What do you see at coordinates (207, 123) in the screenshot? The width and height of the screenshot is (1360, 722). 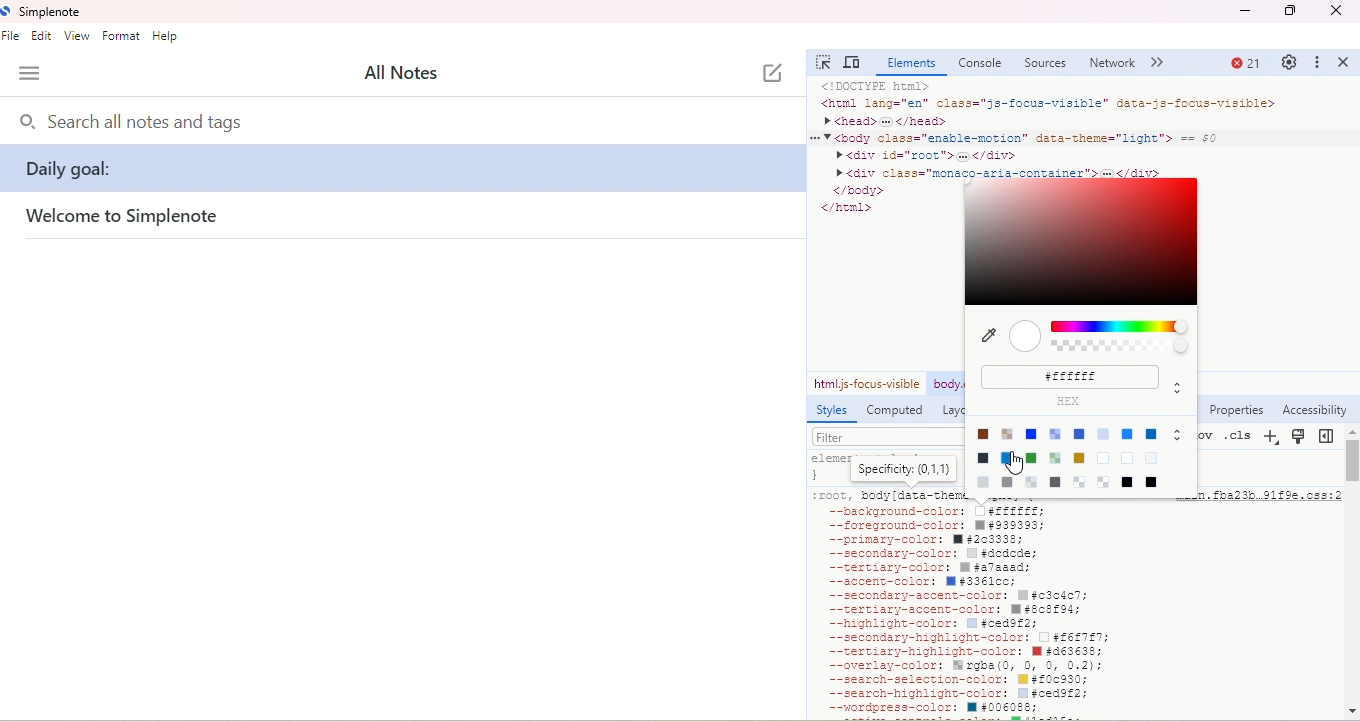 I see `search bar` at bounding box center [207, 123].